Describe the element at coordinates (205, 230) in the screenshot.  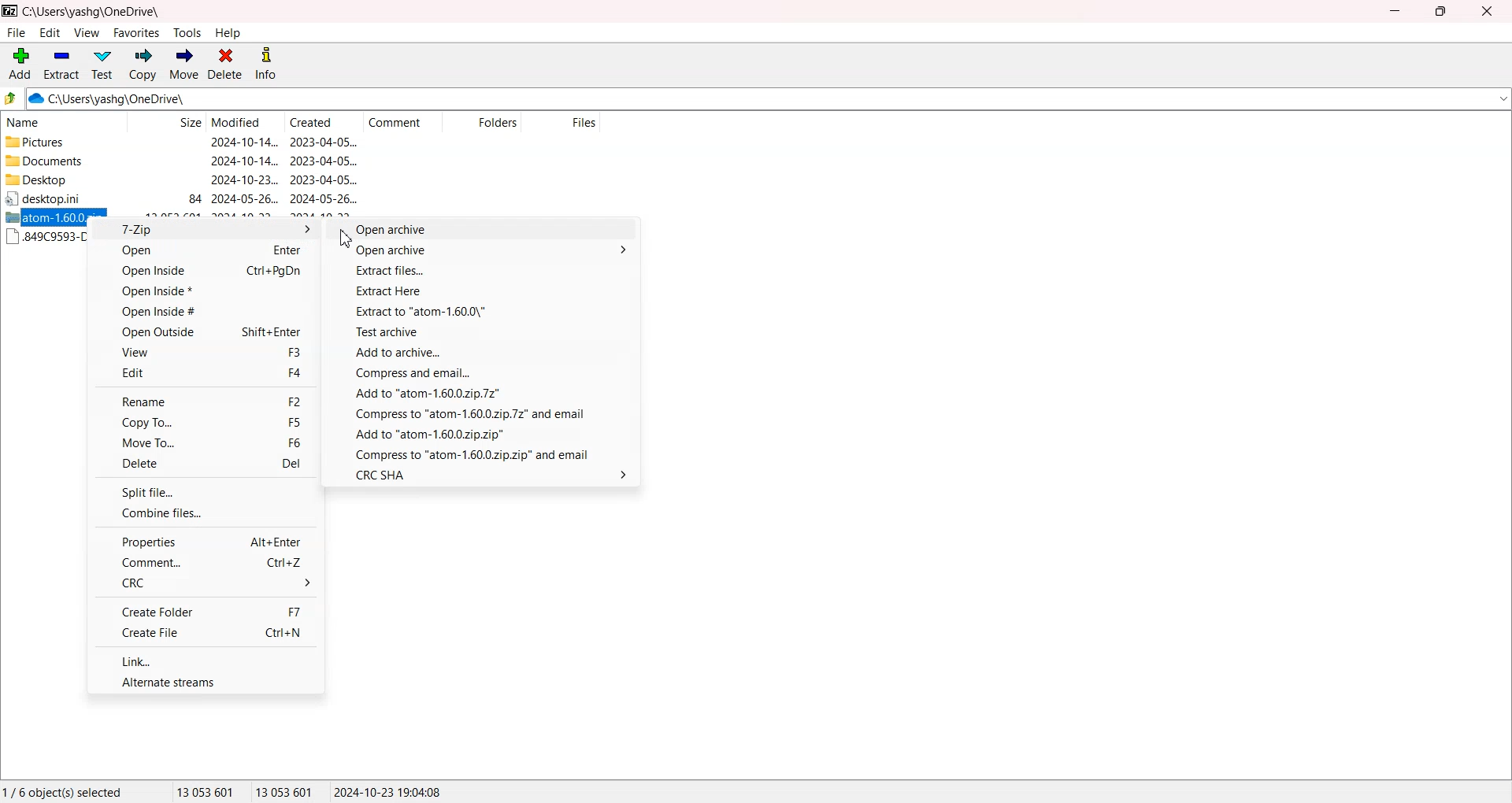
I see `7-Zip` at that location.